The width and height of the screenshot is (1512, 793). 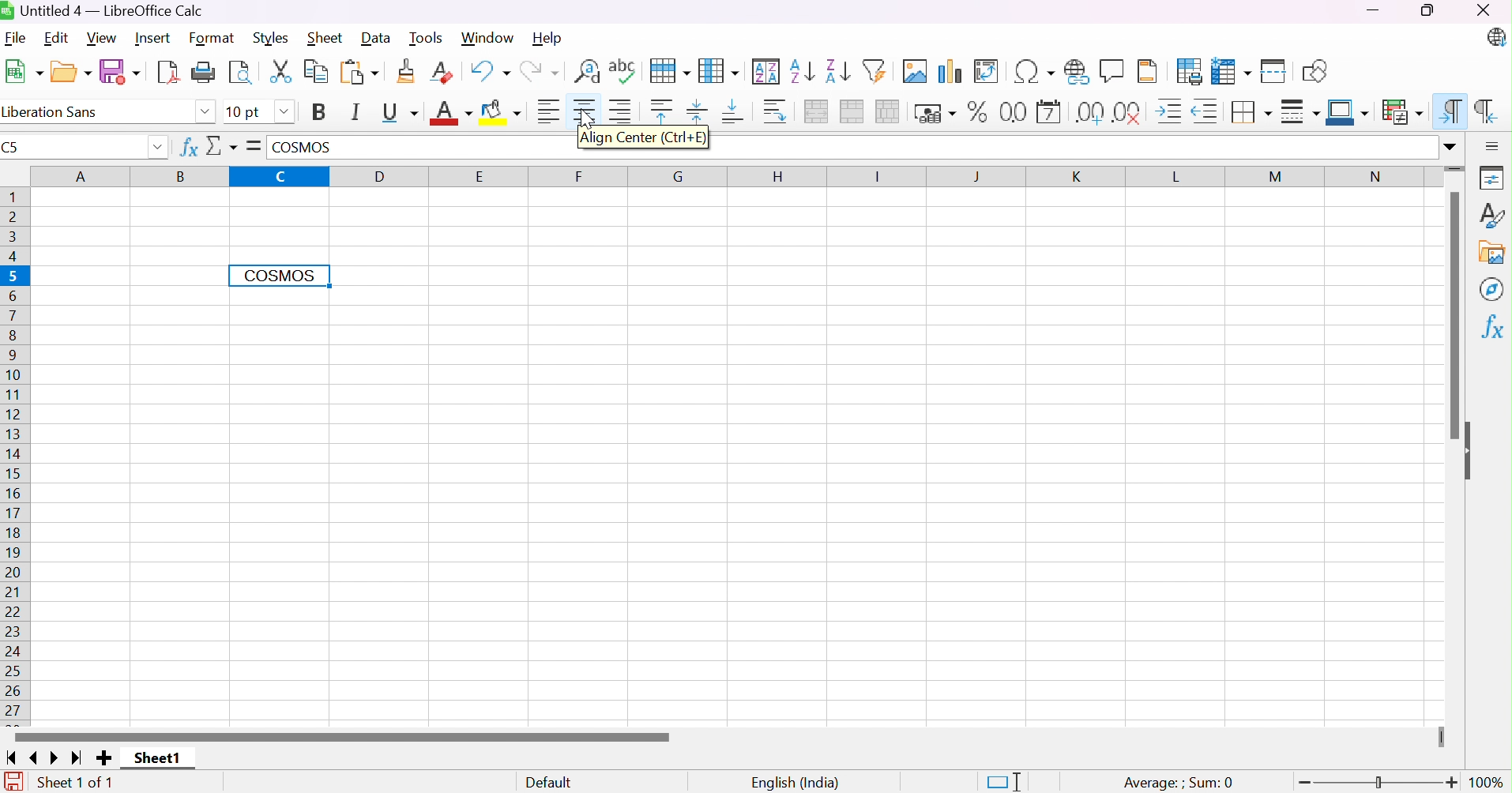 What do you see at coordinates (1450, 148) in the screenshot?
I see `Drop Down` at bounding box center [1450, 148].